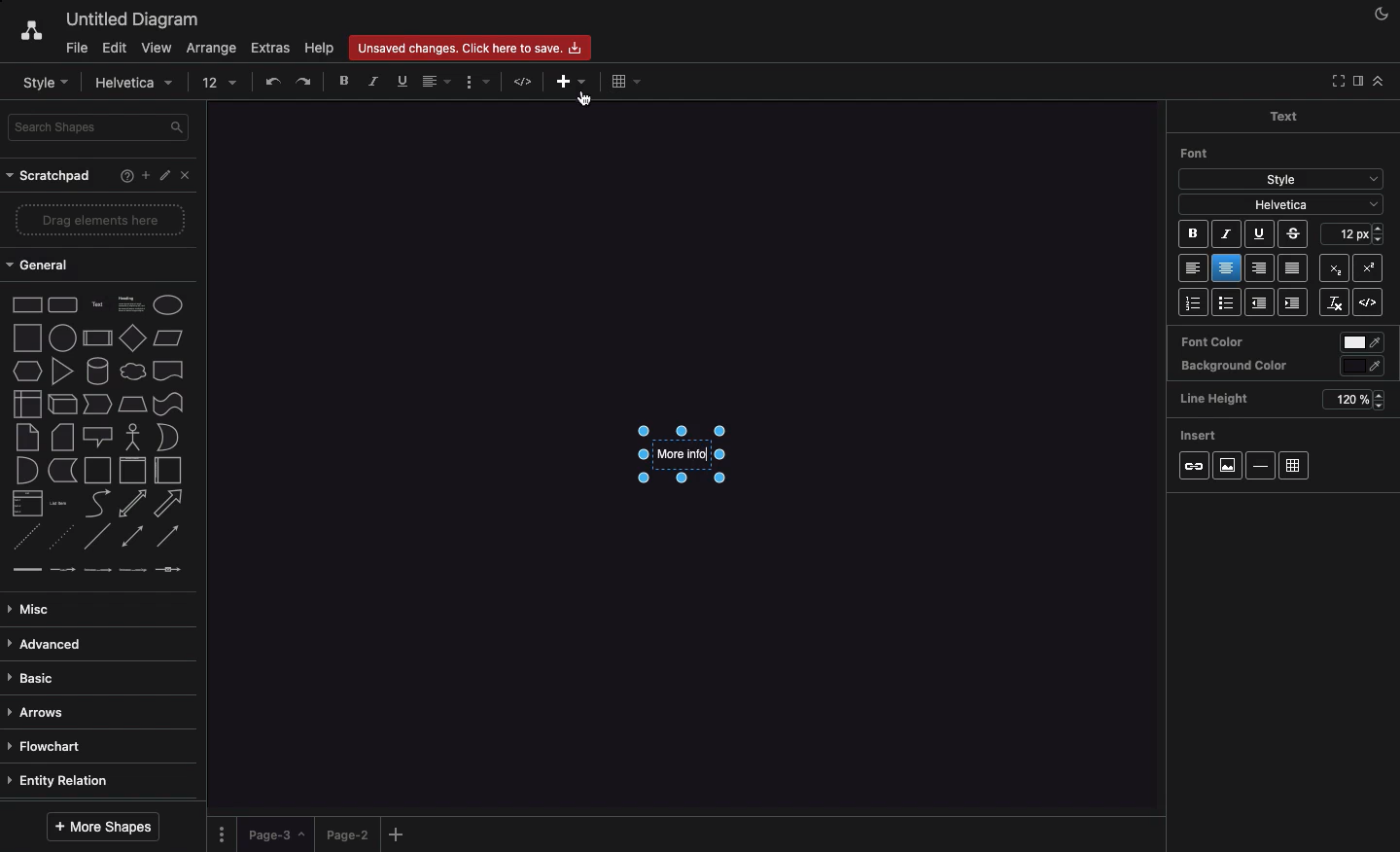 The height and width of the screenshot is (852, 1400). Describe the element at coordinates (1263, 465) in the screenshot. I see `Horizontal` at that location.